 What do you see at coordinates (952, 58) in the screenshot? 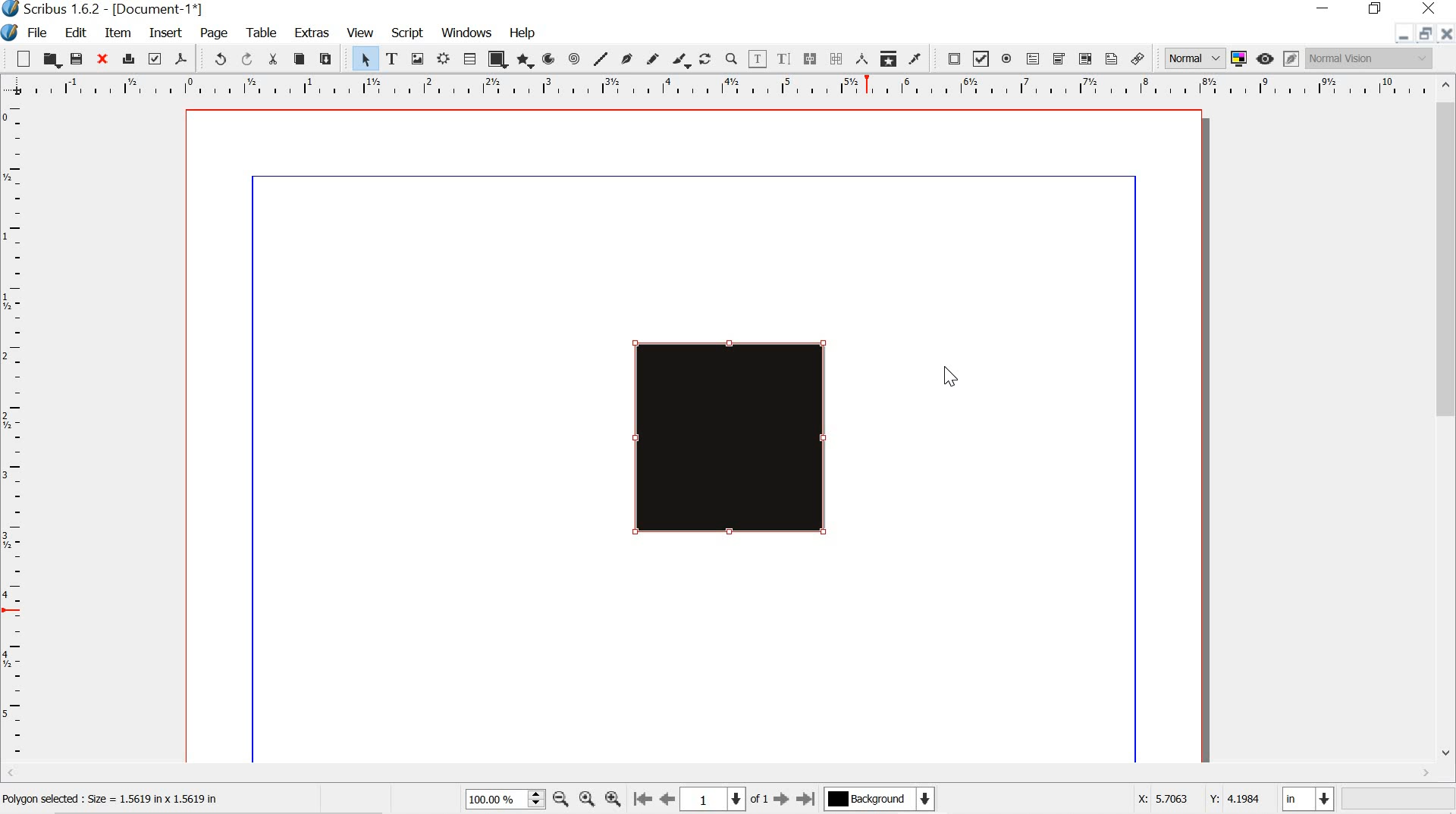
I see `pdf push button` at bounding box center [952, 58].